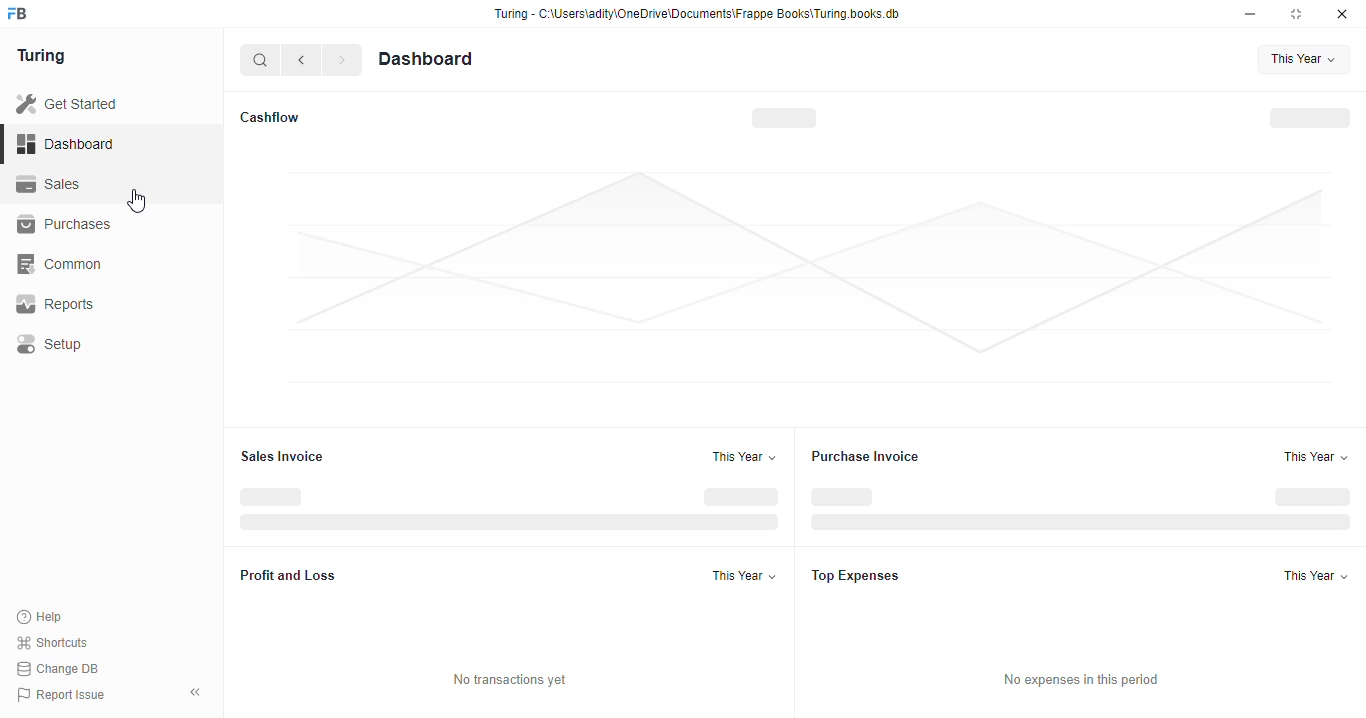 The image size is (1366, 718). Describe the element at coordinates (1300, 14) in the screenshot. I see `maximise` at that location.